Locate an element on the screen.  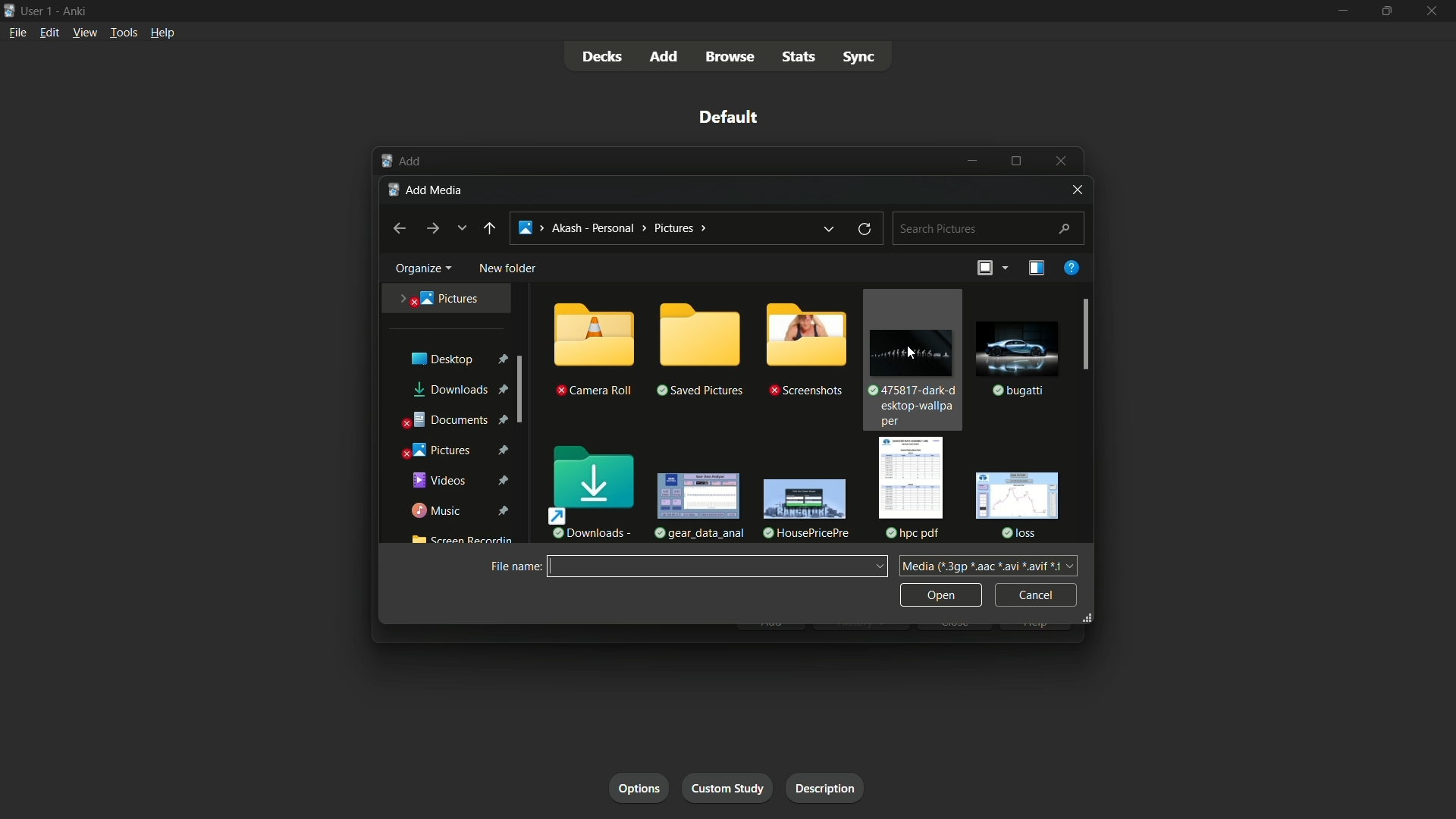
Minimize is located at coordinates (972, 161).